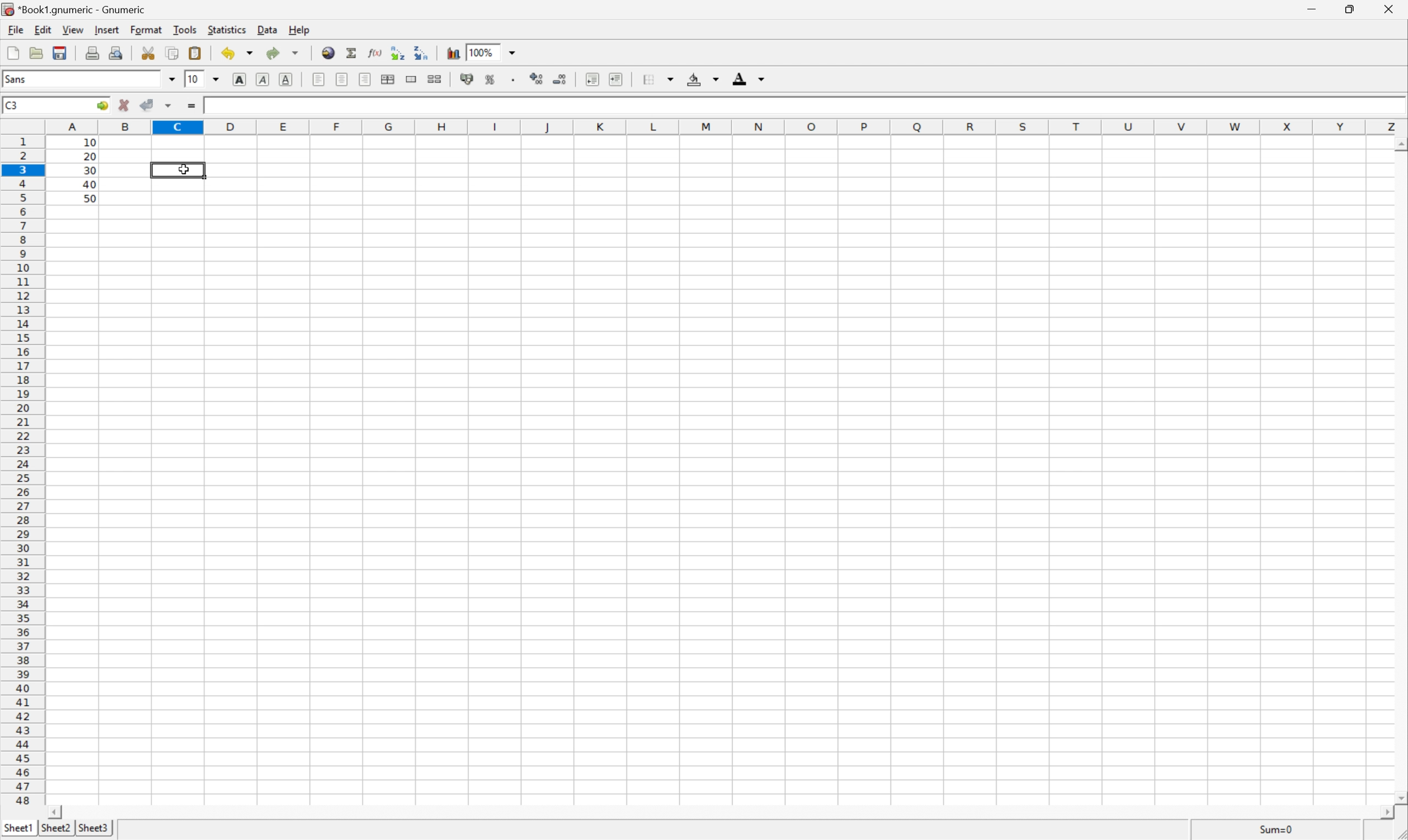 This screenshot has width=1408, height=840. I want to click on Increase the number of decimals displayed, so click(538, 78).